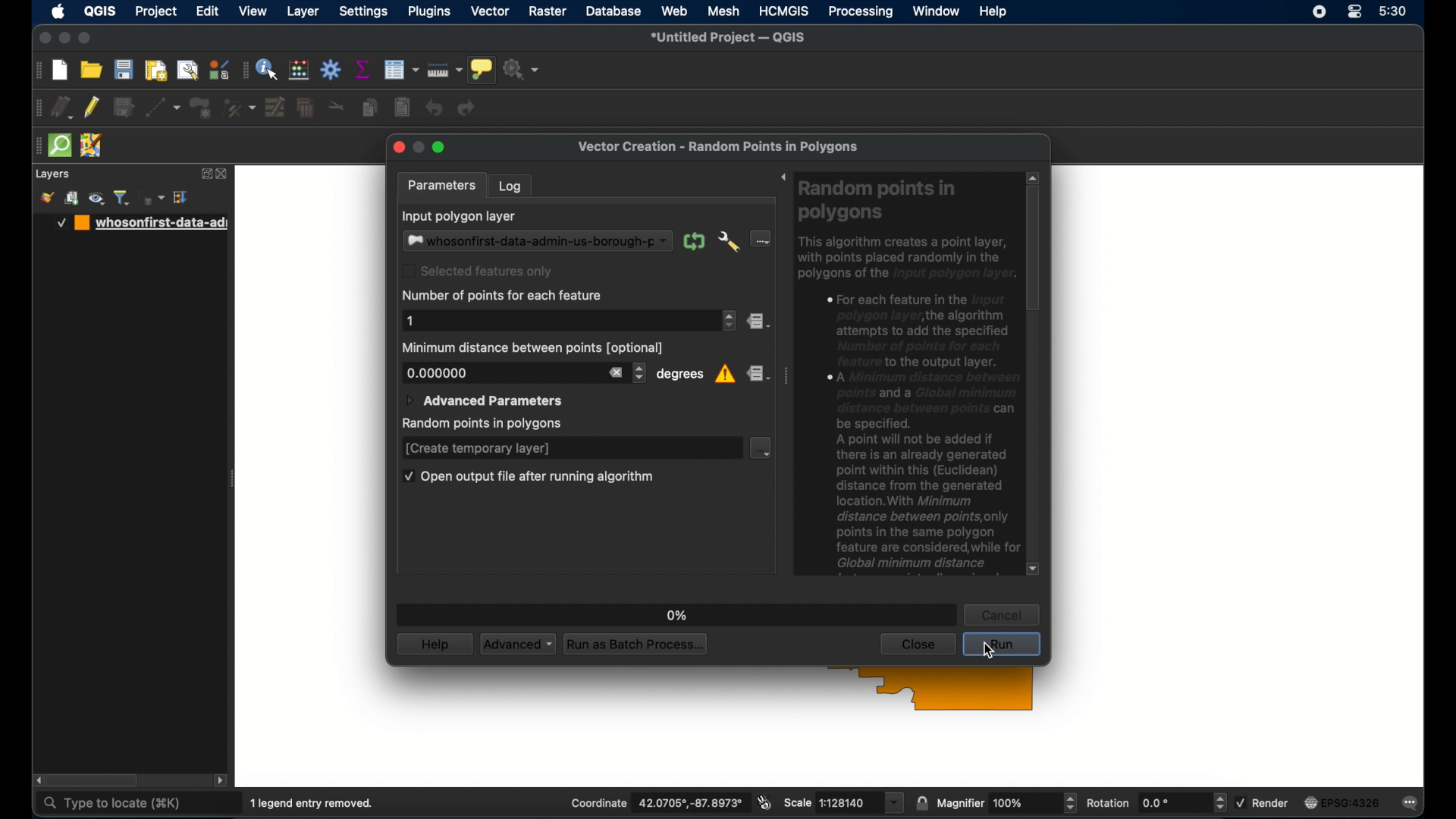 Image resolution: width=1456 pixels, height=819 pixels. Describe the element at coordinates (92, 108) in the screenshot. I see `toggle editing` at that location.